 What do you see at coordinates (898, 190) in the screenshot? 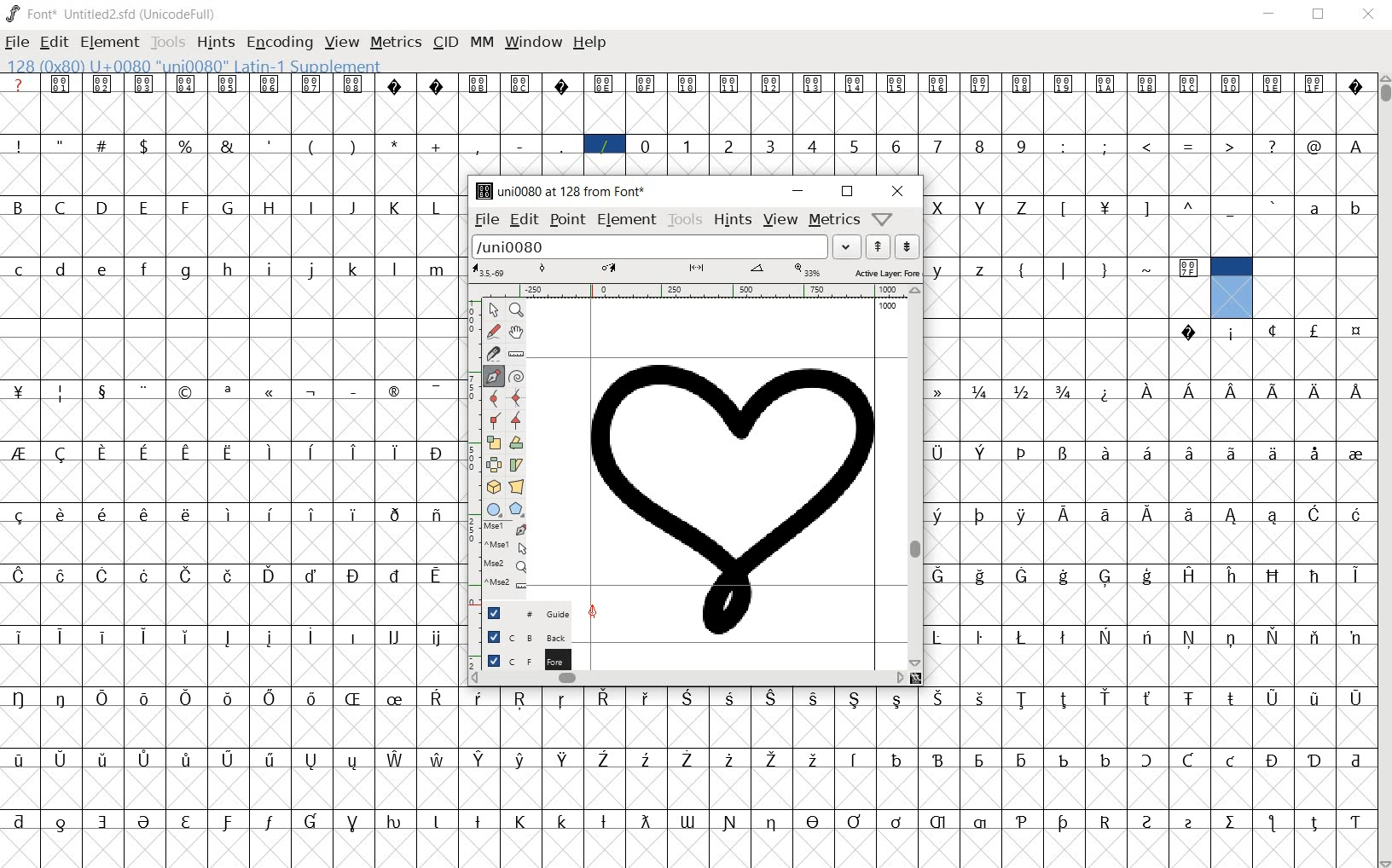
I see `close` at bounding box center [898, 190].